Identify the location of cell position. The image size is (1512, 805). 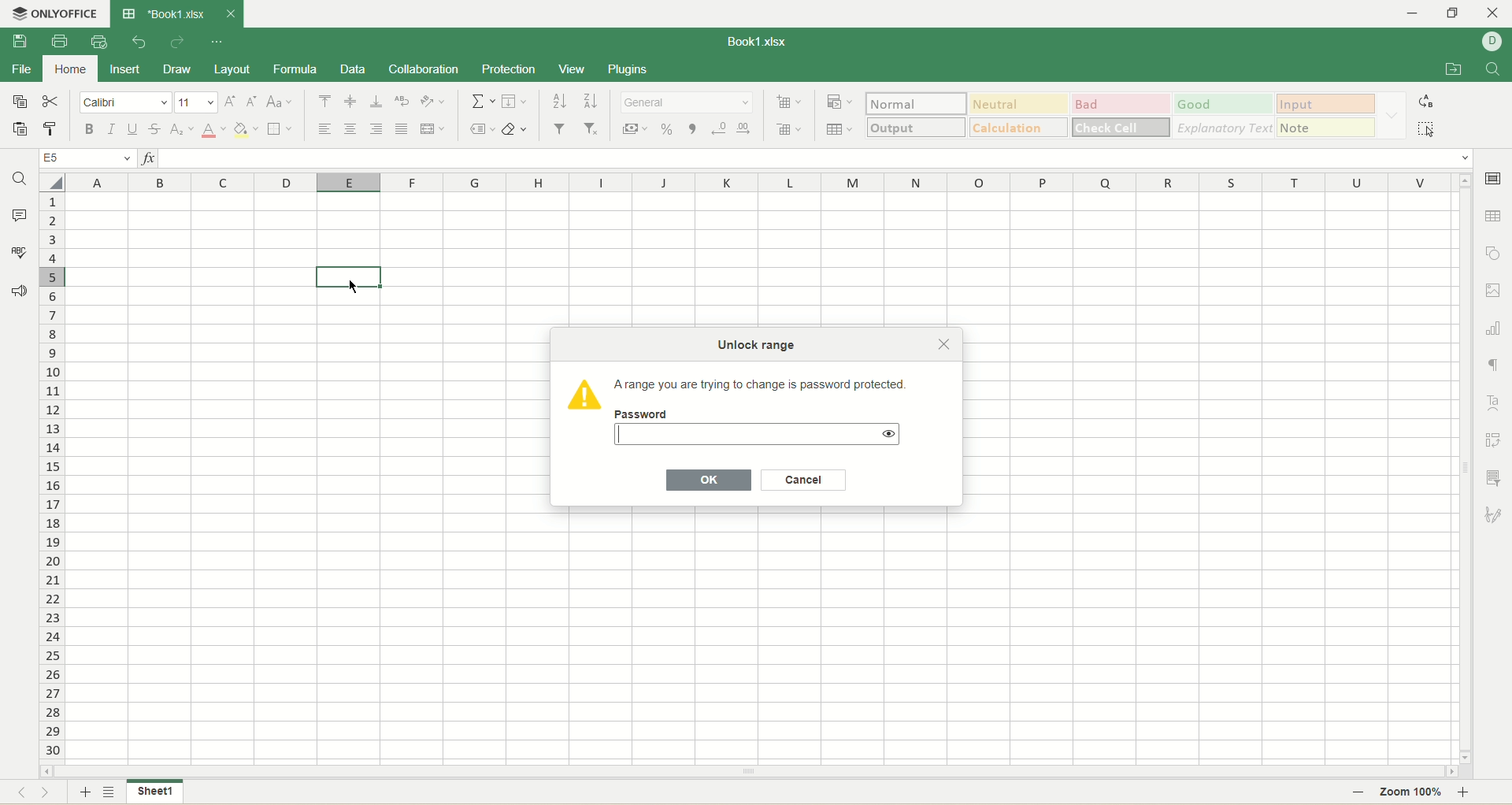
(86, 160).